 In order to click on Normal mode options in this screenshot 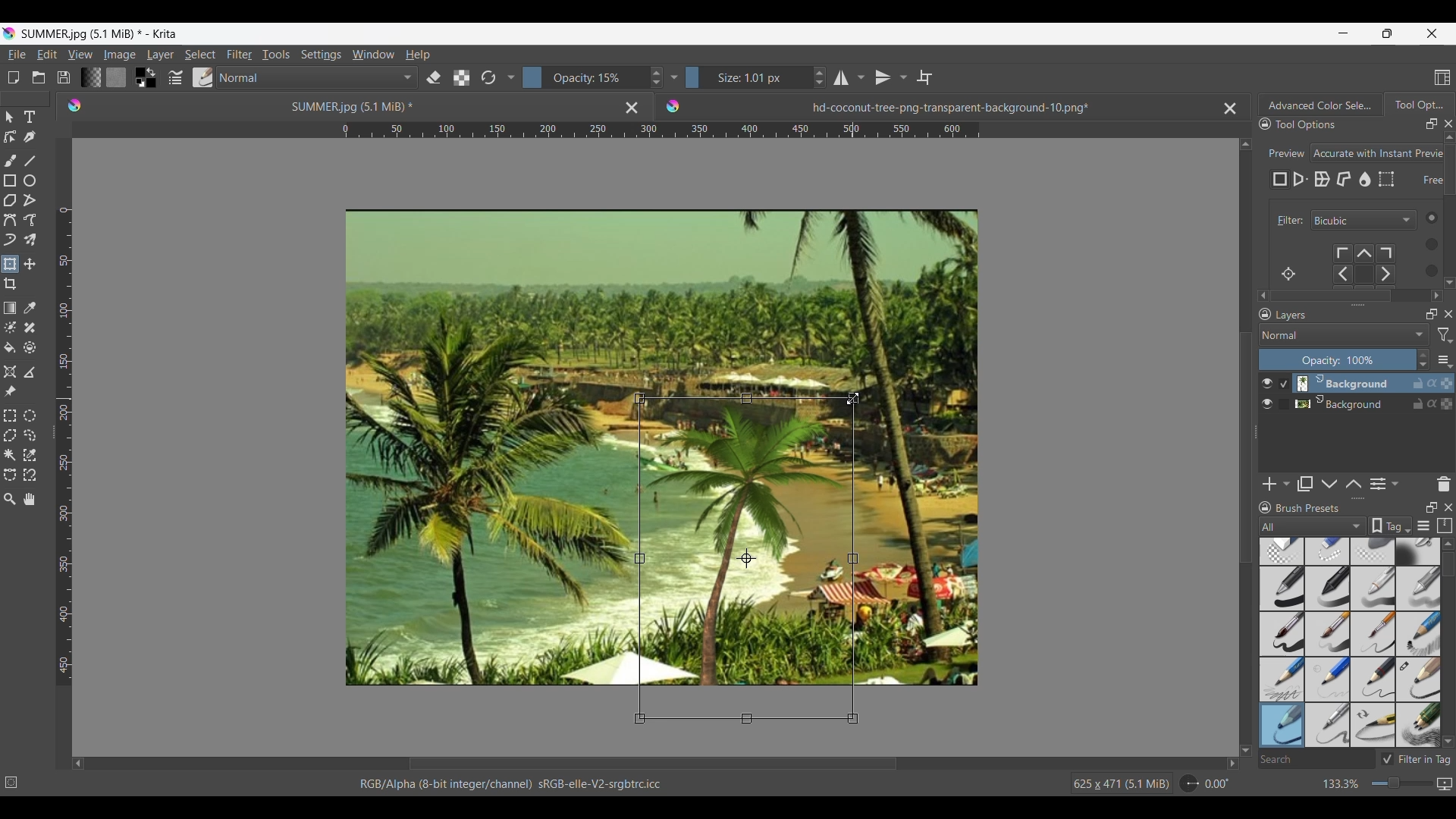, I will do `click(1344, 334)`.